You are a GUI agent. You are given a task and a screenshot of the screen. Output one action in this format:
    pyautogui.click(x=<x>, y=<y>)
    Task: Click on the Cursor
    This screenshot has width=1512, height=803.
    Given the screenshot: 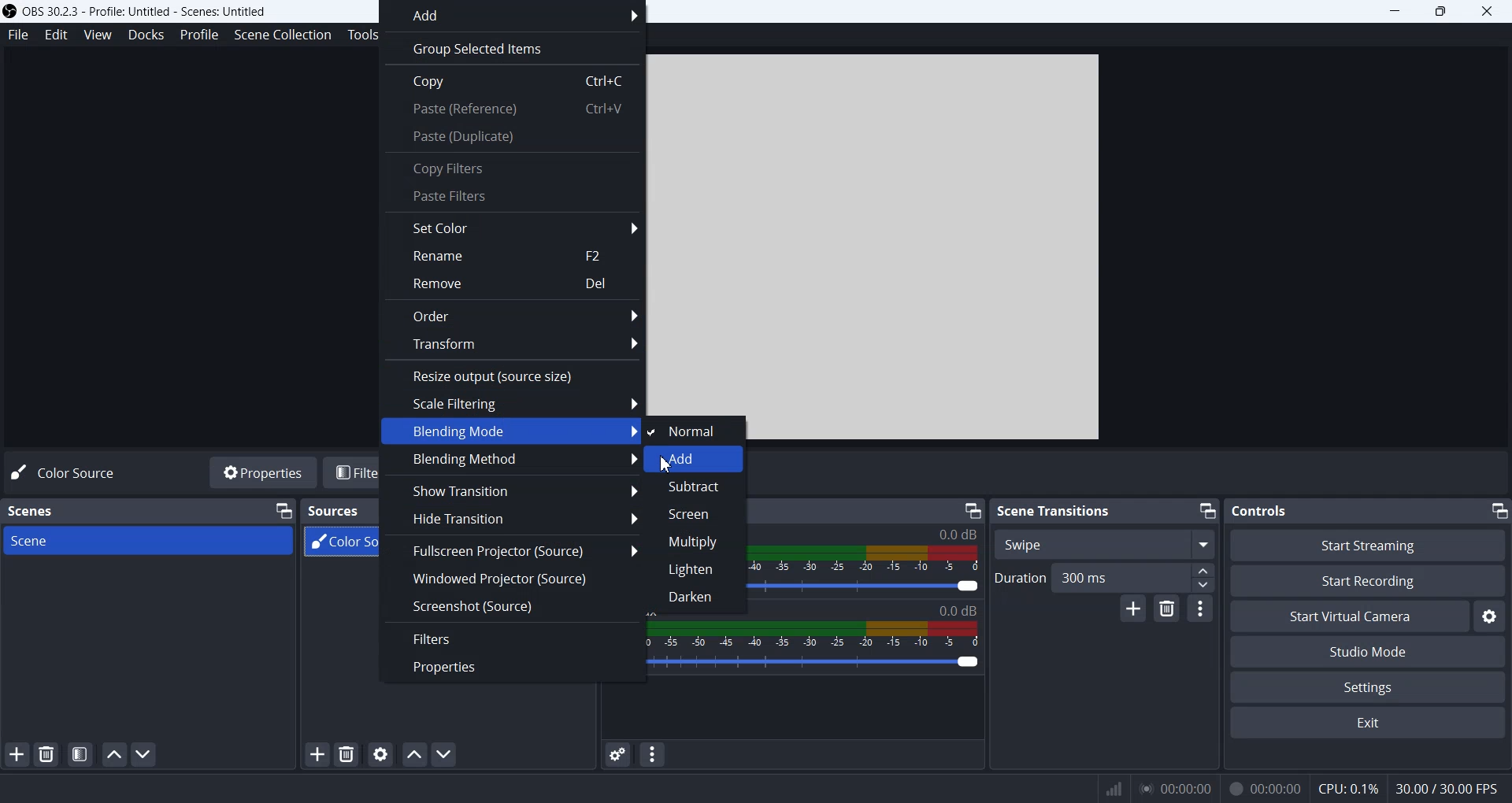 What is the action you would take?
    pyautogui.click(x=666, y=466)
    